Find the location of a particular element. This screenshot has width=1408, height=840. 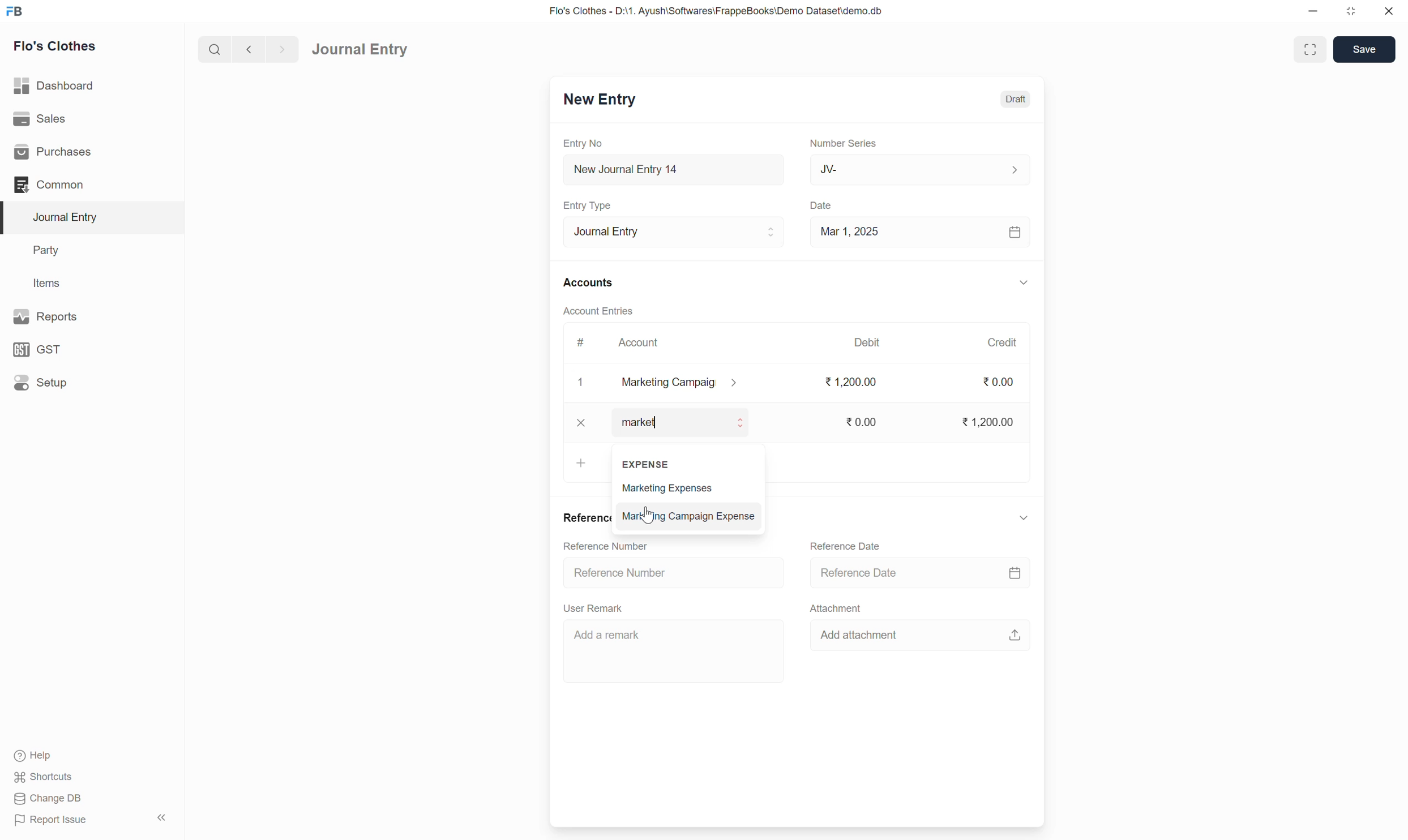

expense is located at coordinates (650, 465).